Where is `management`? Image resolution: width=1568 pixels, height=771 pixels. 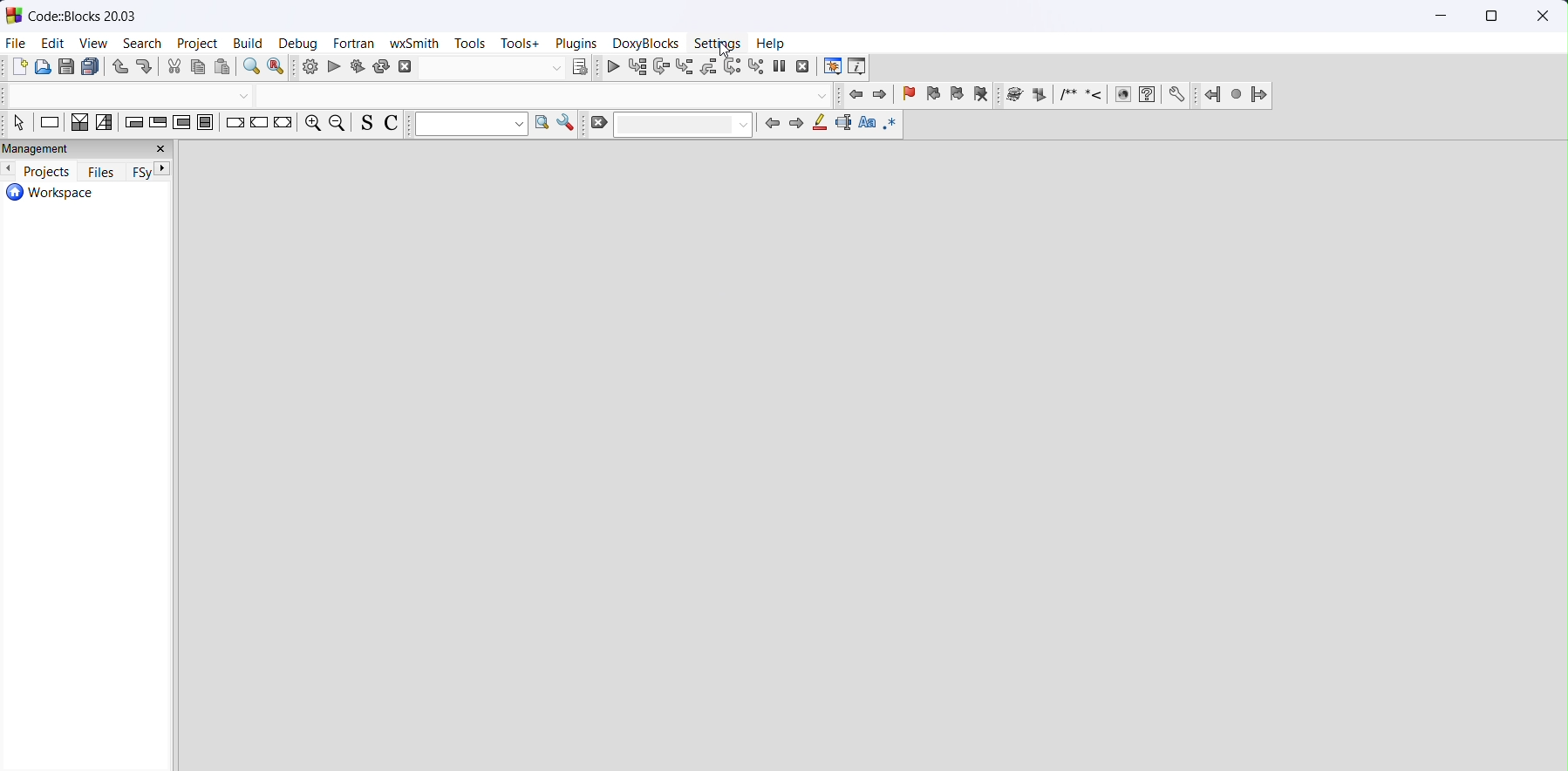 management is located at coordinates (86, 149).